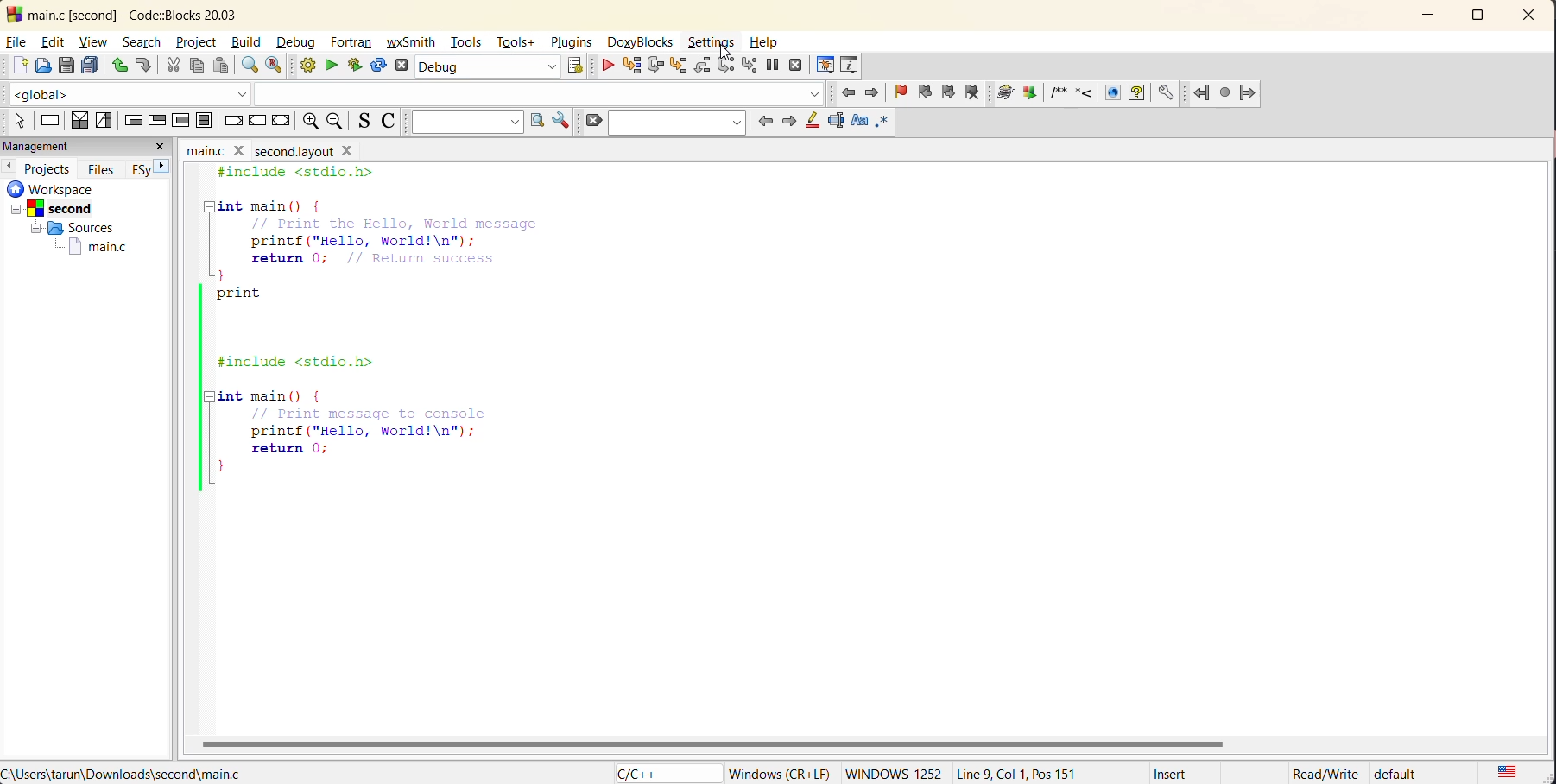 This screenshot has height=784, width=1556. Describe the element at coordinates (239, 149) in the screenshot. I see `close` at that location.